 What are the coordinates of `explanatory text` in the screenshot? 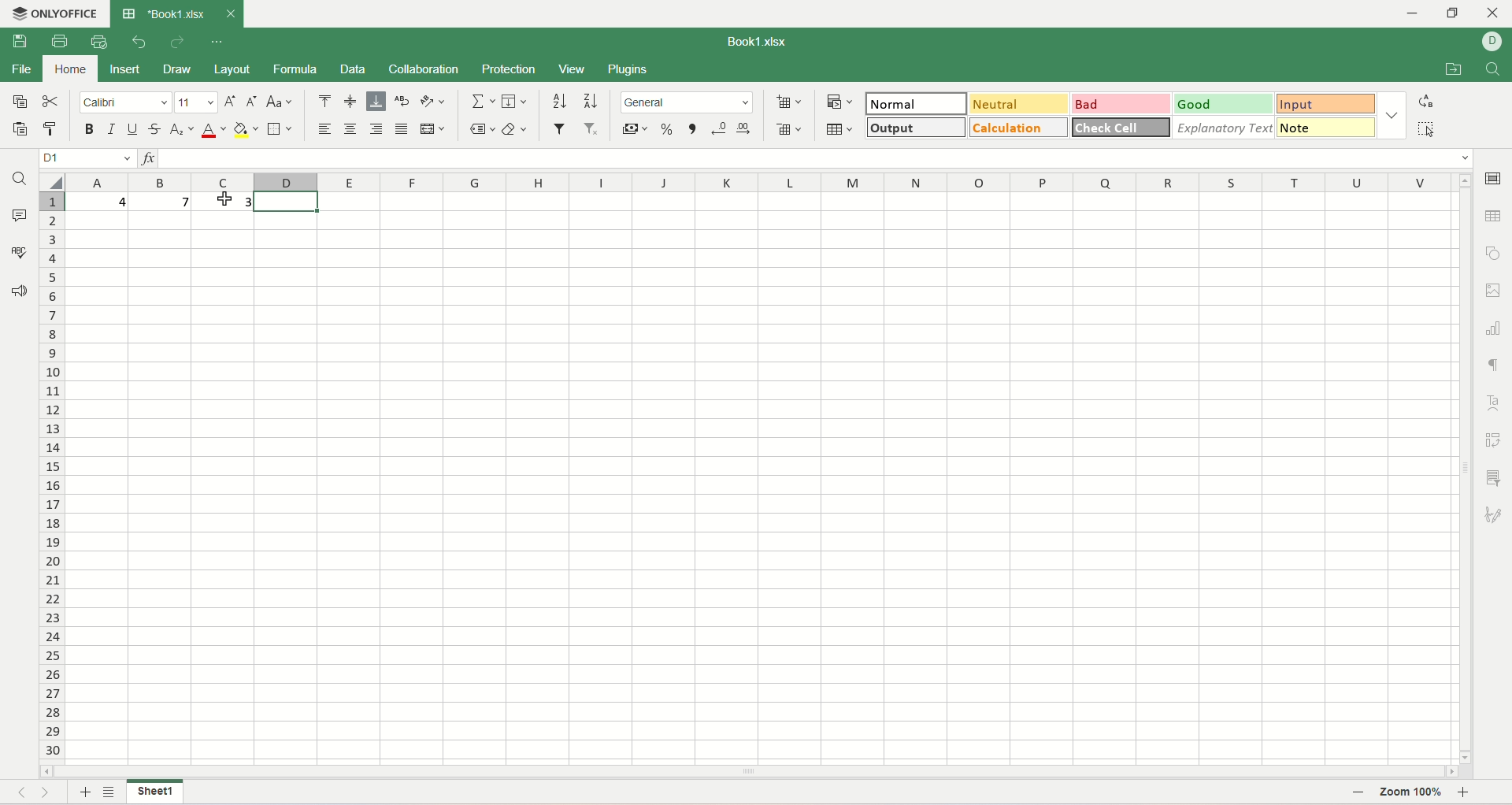 It's located at (1224, 127).